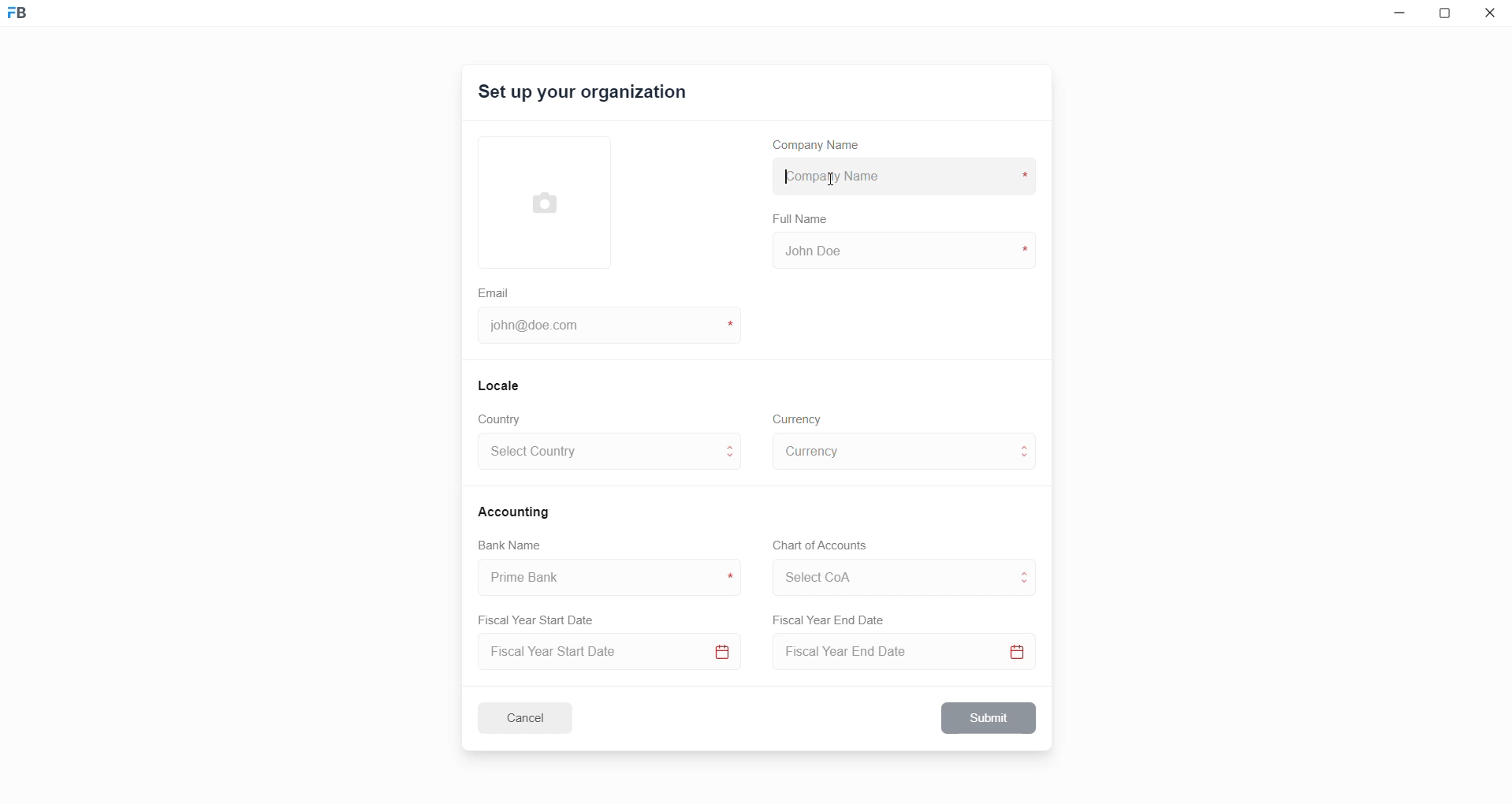  I want to click on Cancel , so click(535, 717).